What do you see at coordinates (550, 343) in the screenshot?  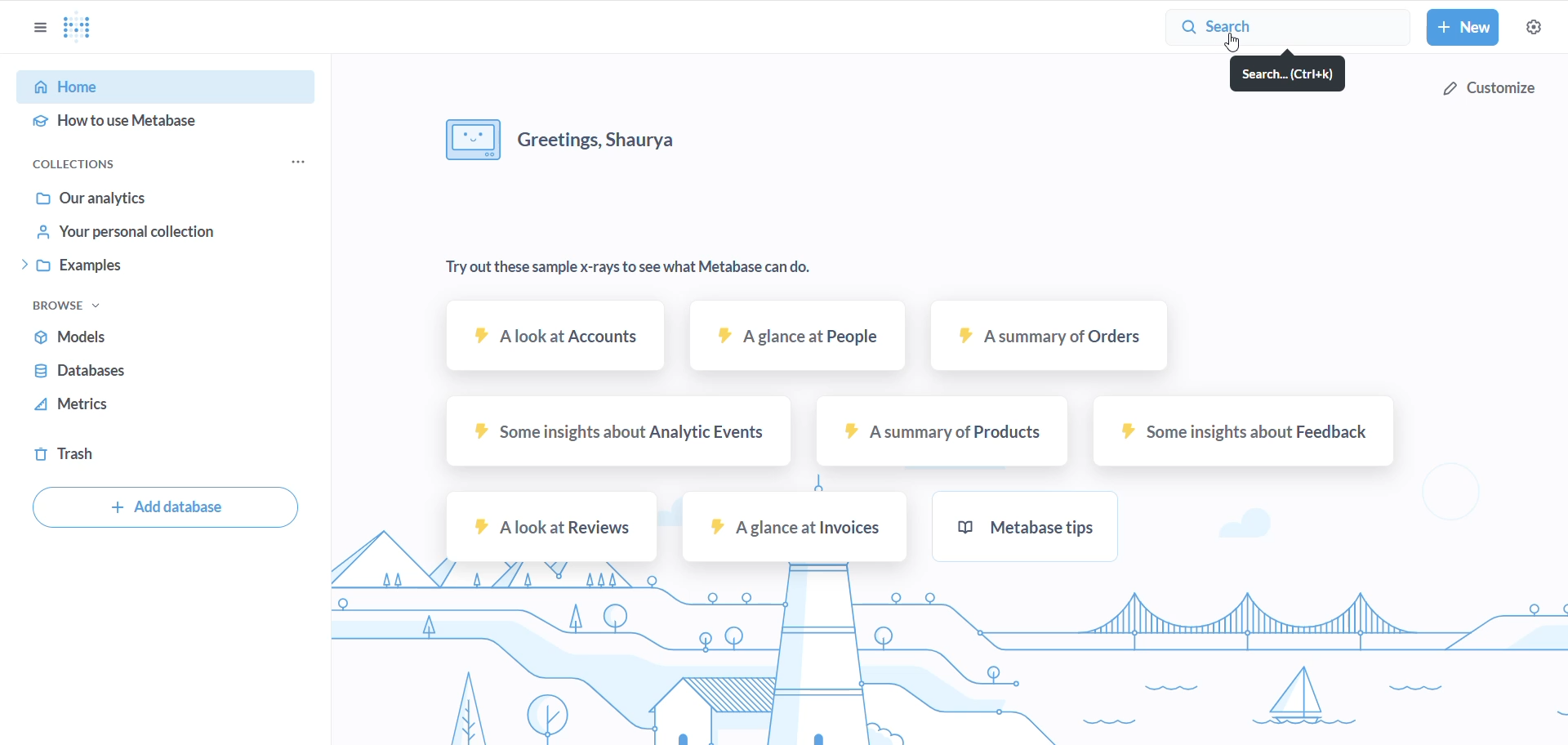 I see `A look at Accounts sample` at bounding box center [550, 343].